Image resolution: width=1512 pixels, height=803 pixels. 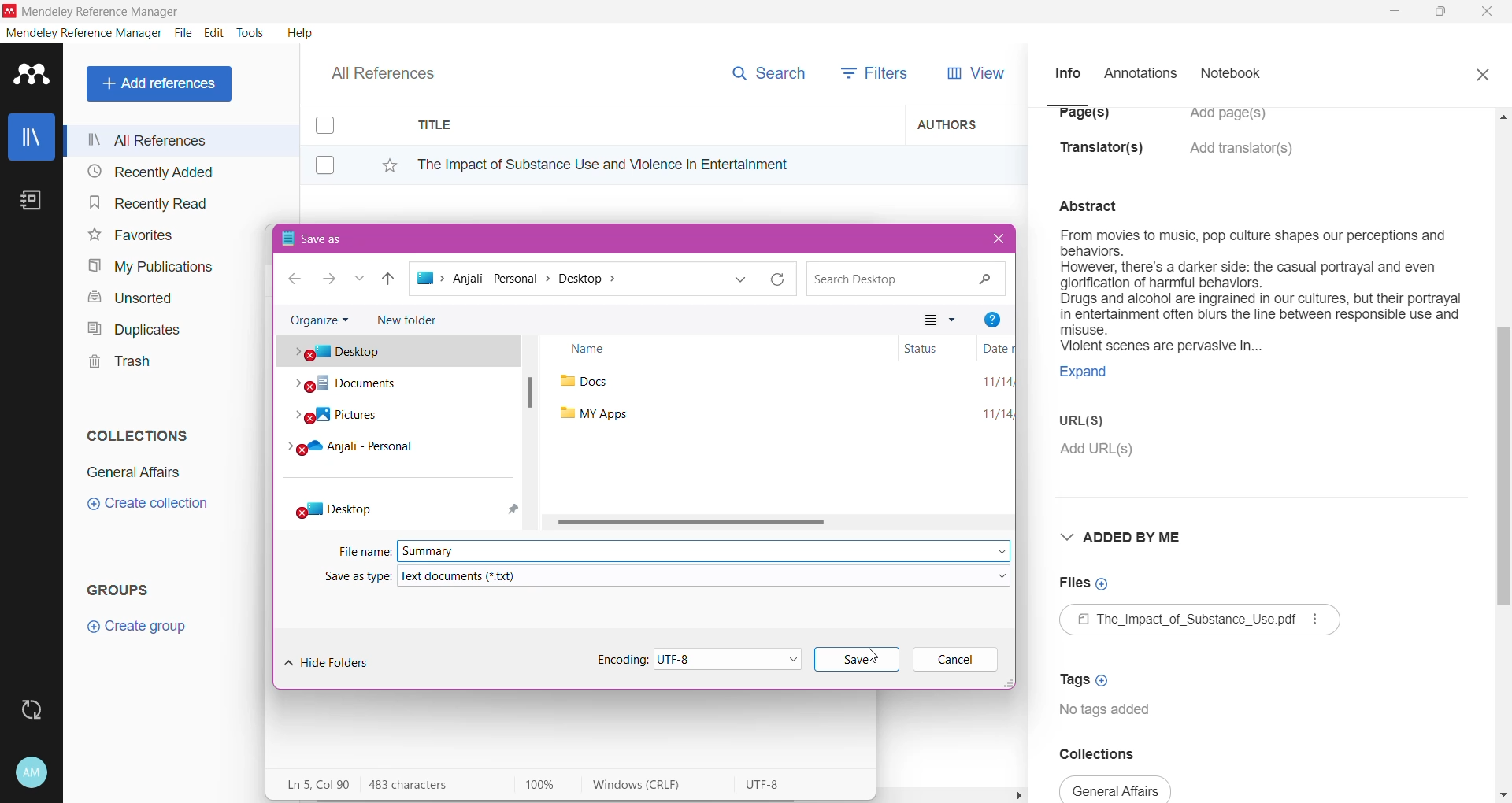 I want to click on 11/14, so click(x=987, y=415).